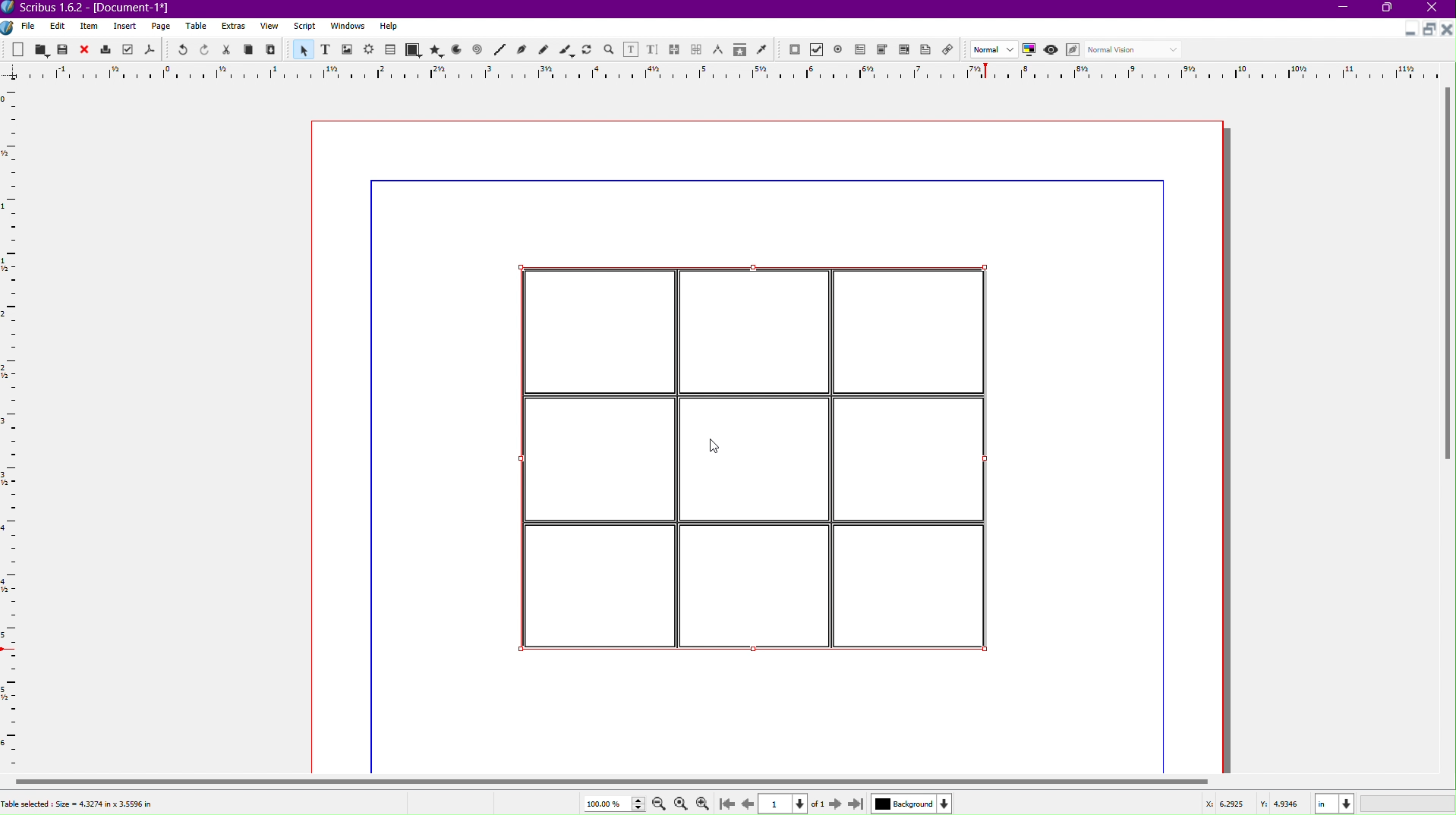 The image size is (1456, 815). What do you see at coordinates (149, 50) in the screenshot?
I see `Save as PDF` at bounding box center [149, 50].